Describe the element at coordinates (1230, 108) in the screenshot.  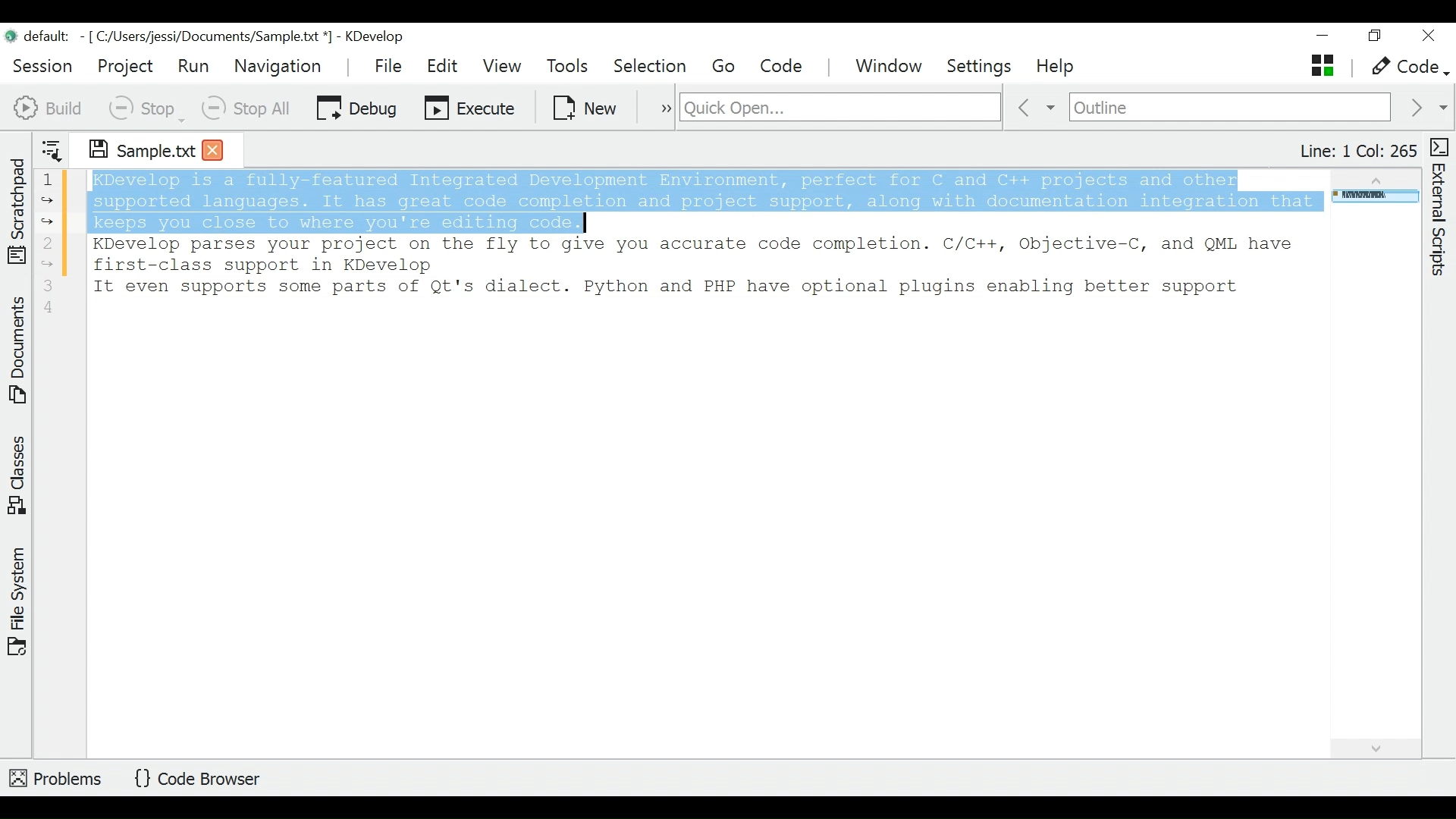
I see `Outline` at that location.